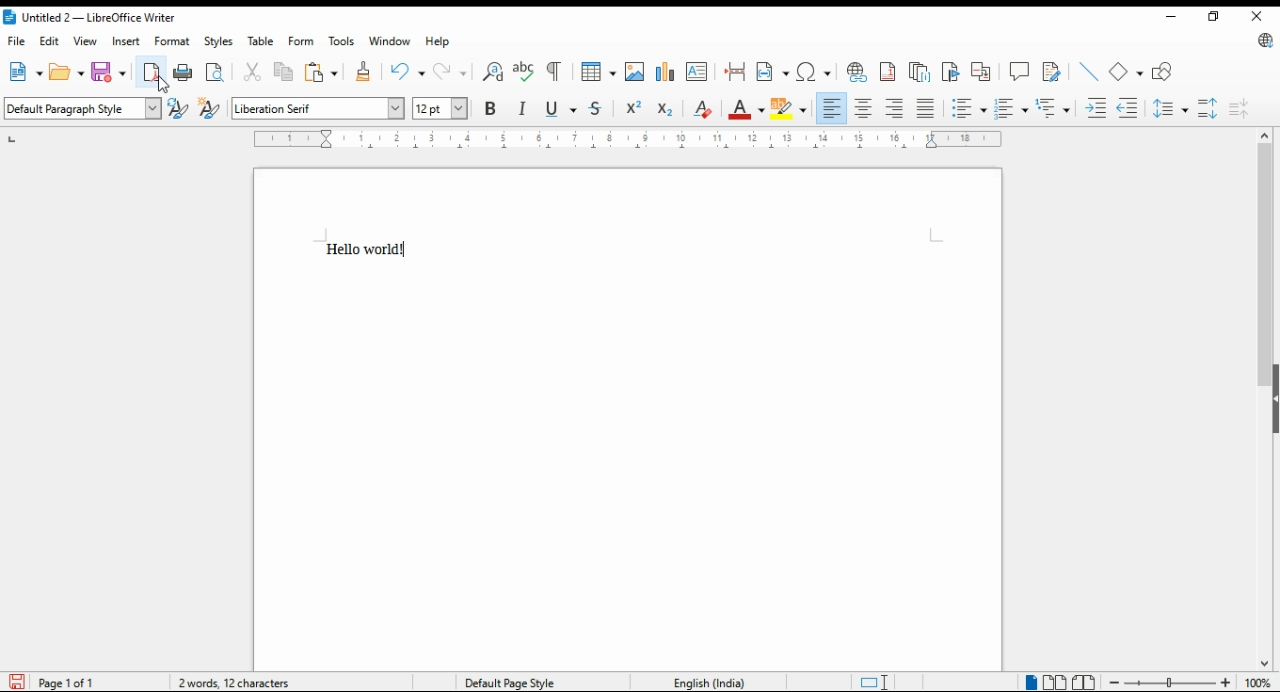 The width and height of the screenshot is (1280, 692). I want to click on insert tables, so click(598, 71).